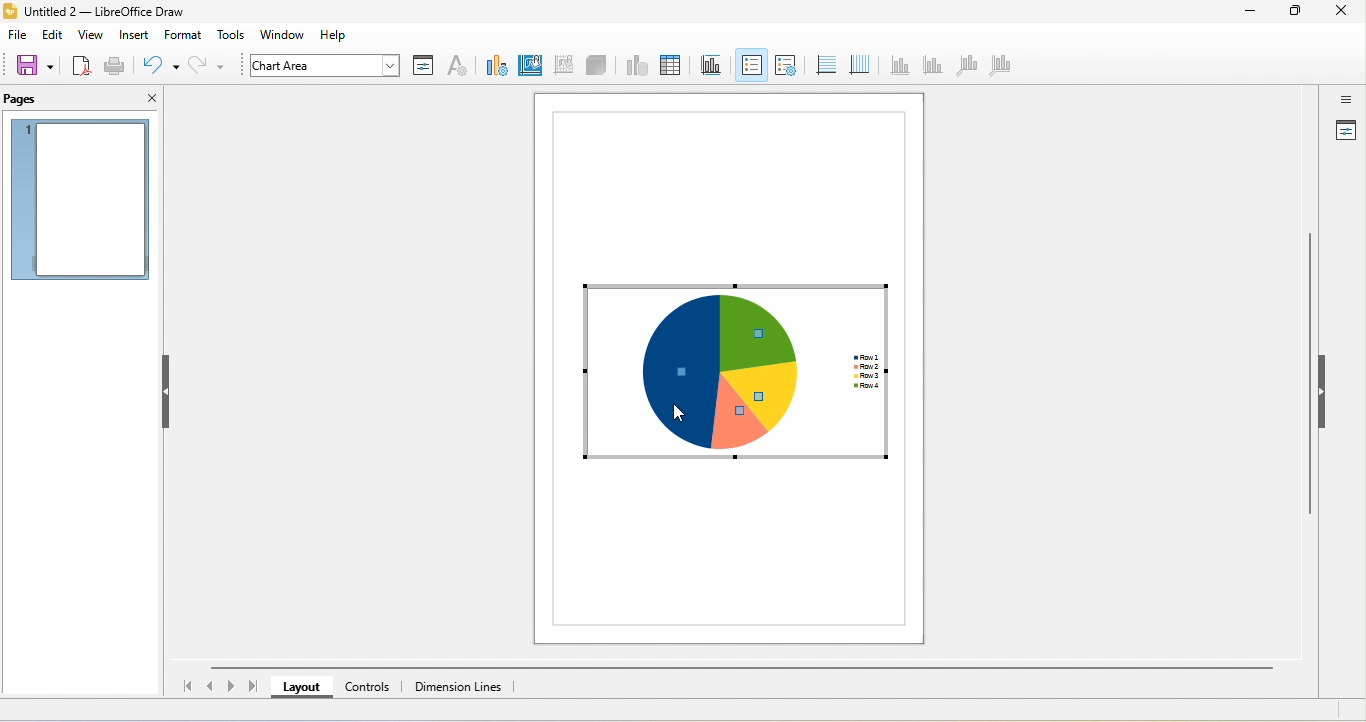  Describe the element at coordinates (9, 11) in the screenshot. I see `libre office draw logo` at that location.